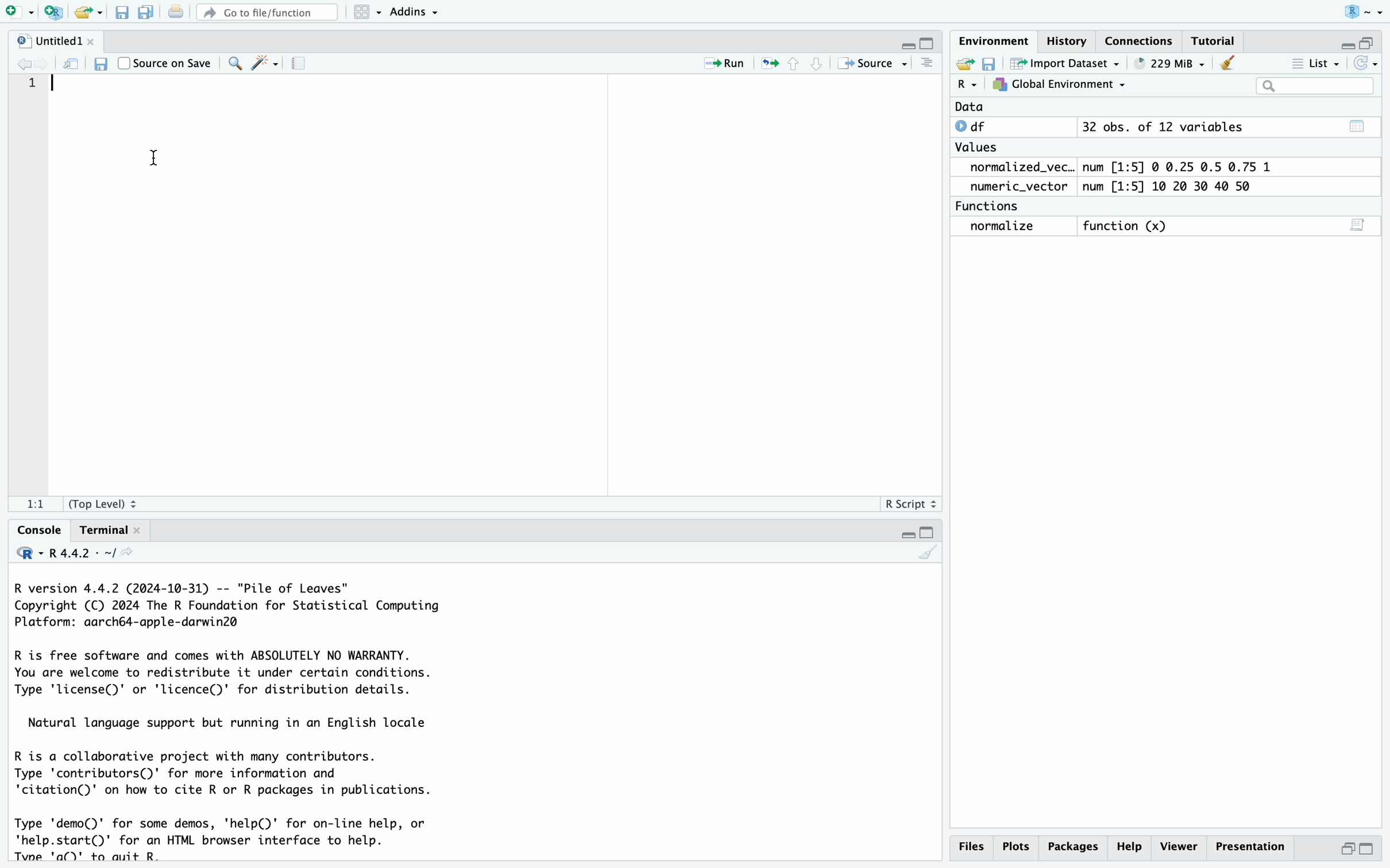 The height and width of the screenshot is (868, 1390). Describe the element at coordinates (796, 64) in the screenshot. I see `previous section` at that location.